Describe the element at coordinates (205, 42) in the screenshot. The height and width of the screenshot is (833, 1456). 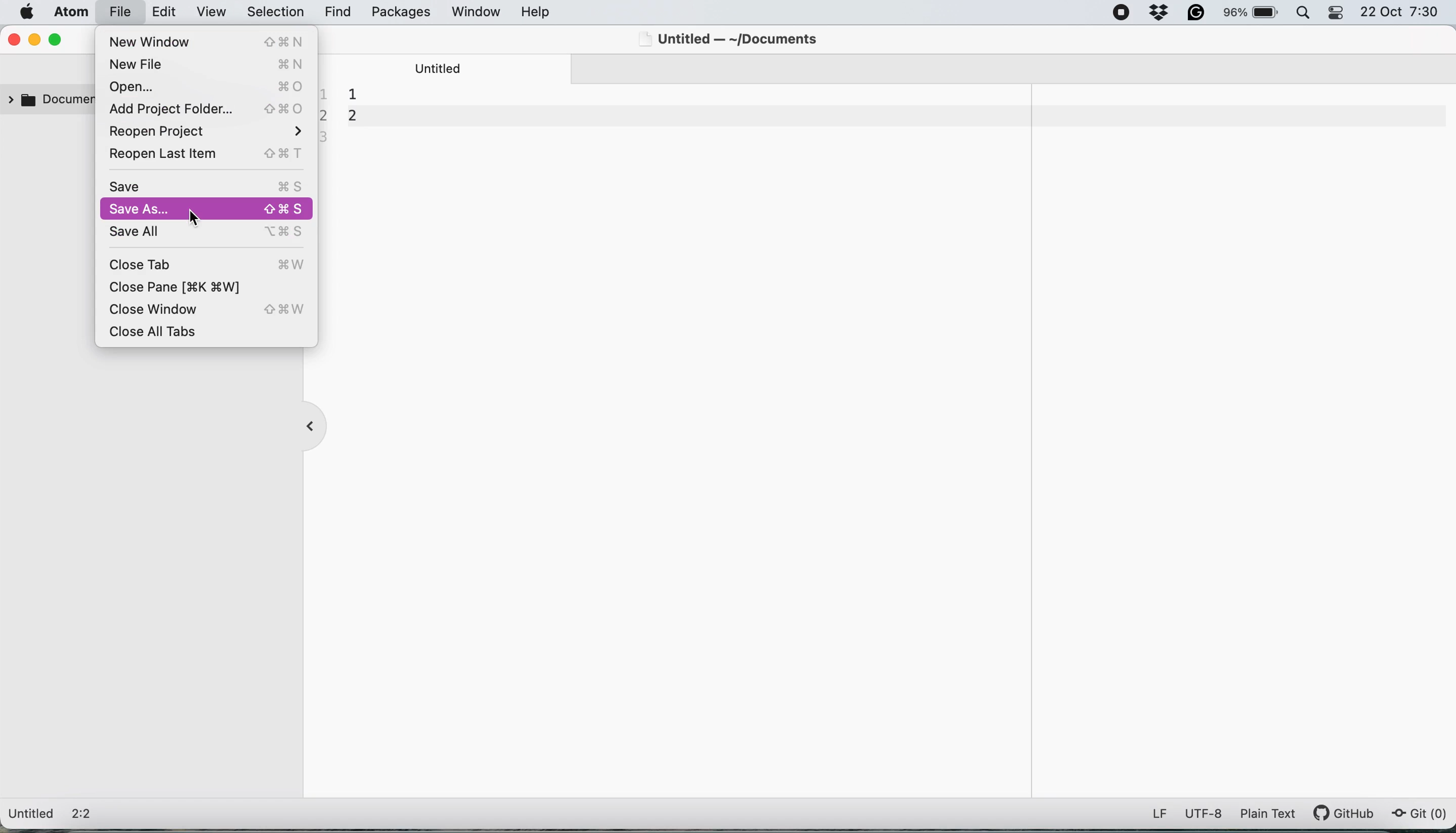
I see `New Window` at that location.